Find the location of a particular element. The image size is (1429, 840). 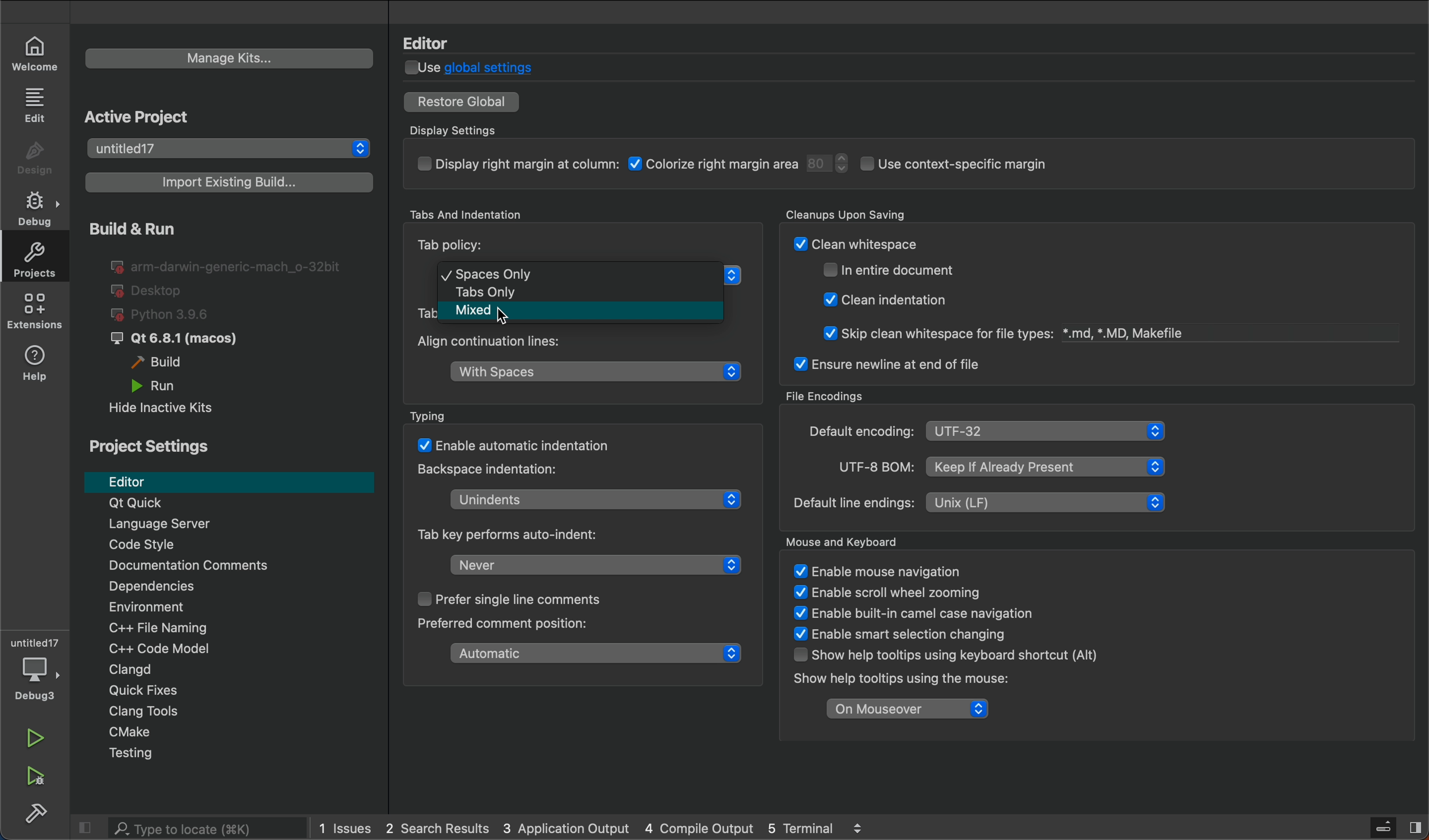

5 terminal is located at coordinates (838, 828).